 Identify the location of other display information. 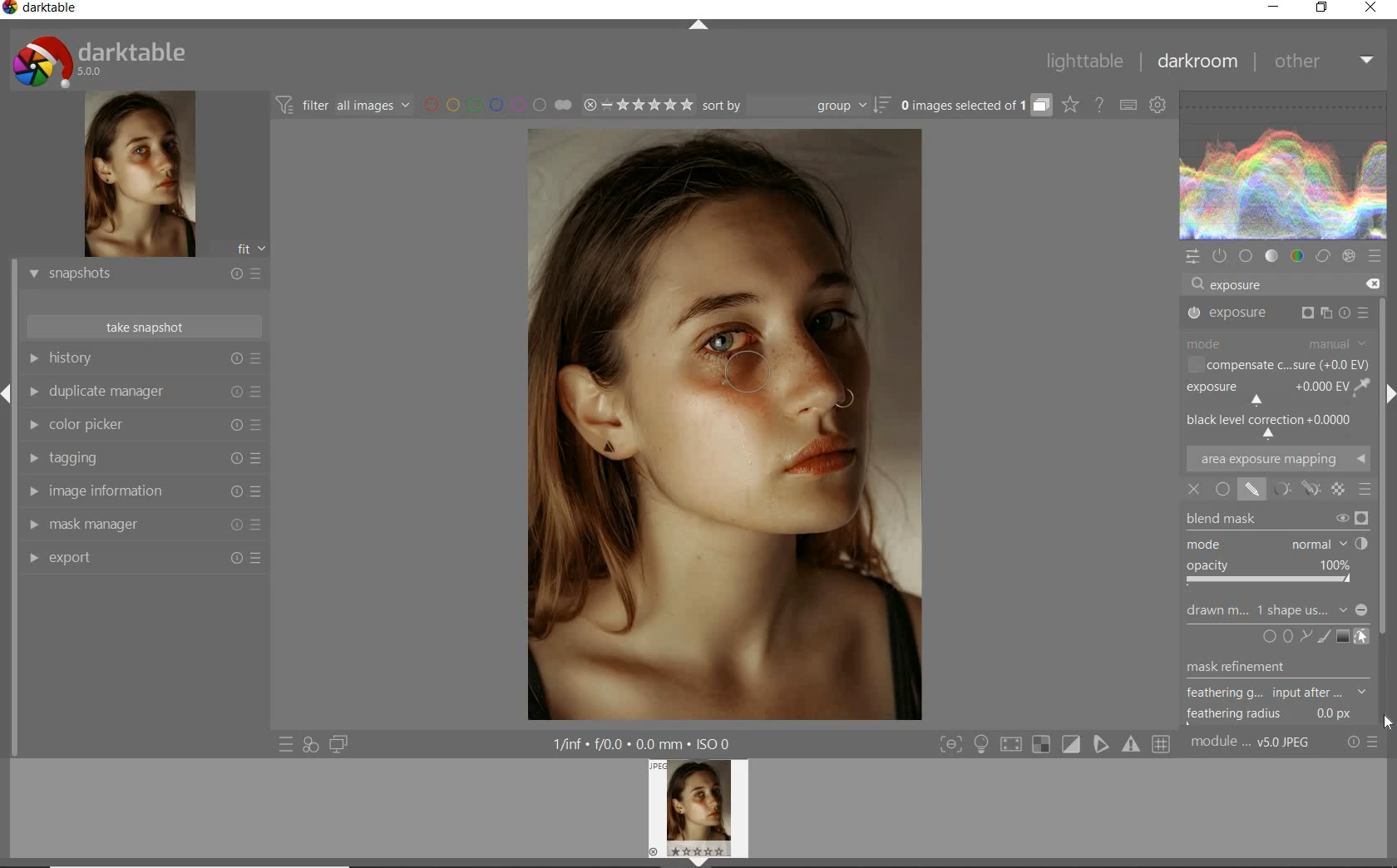
(644, 743).